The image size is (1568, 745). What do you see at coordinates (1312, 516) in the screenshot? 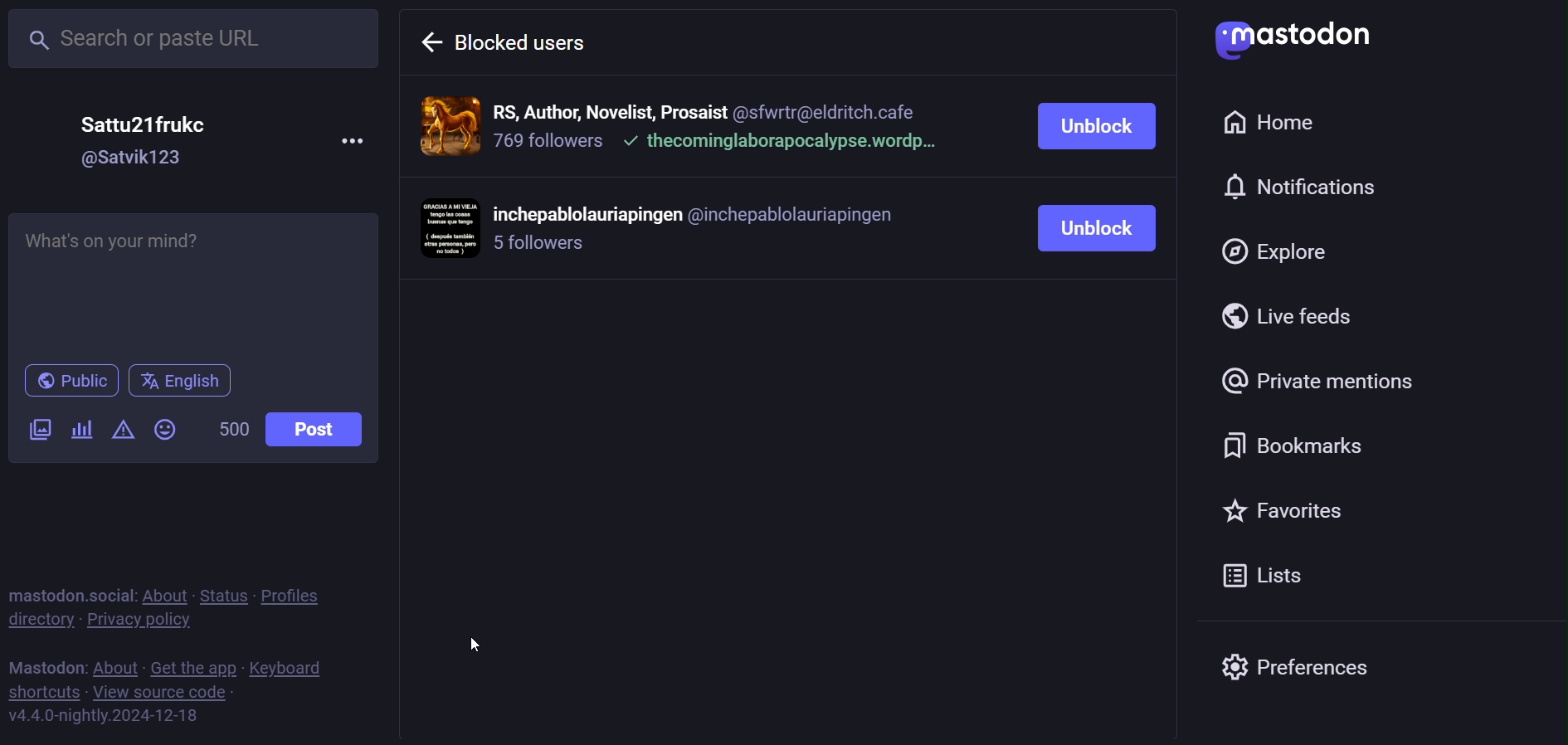
I see `favorites` at bounding box center [1312, 516].